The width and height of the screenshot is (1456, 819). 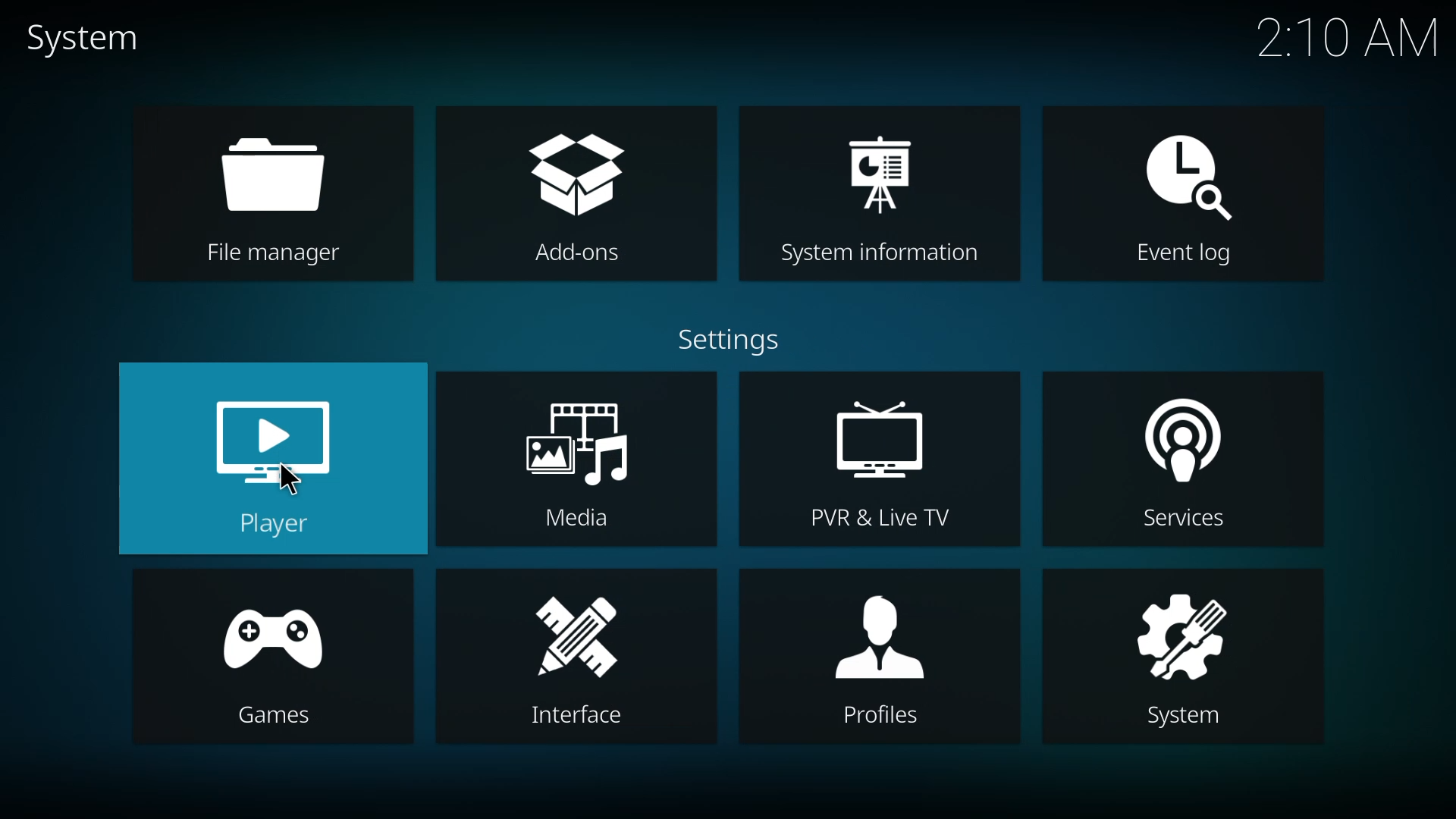 What do you see at coordinates (290, 477) in the screenshot?
I see `cursor` at bounding box center [290, 477].